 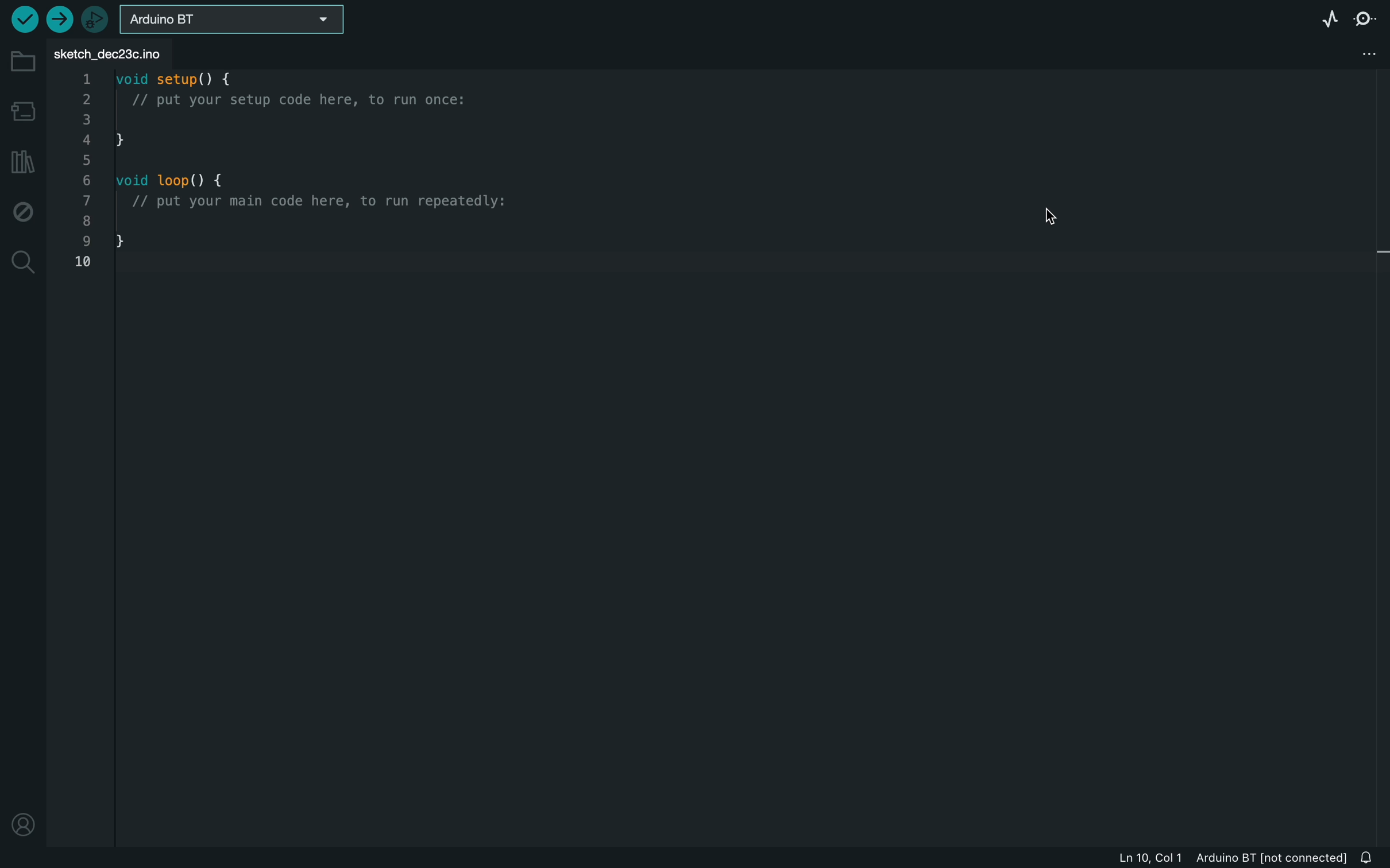 I want to click on file tab, so click(x=122, y=52).